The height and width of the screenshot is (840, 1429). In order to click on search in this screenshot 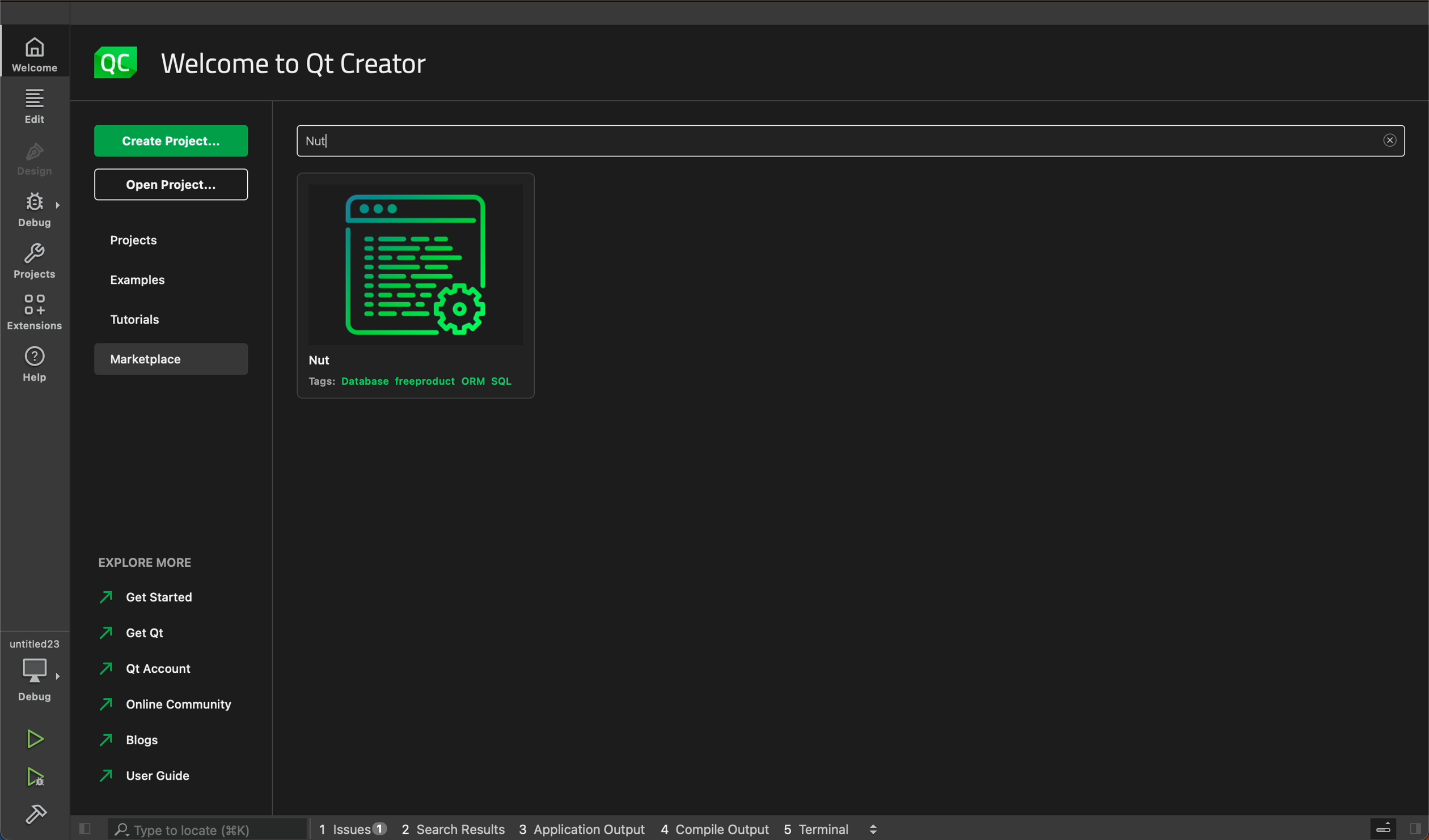, I will do `click(204, 830)`.